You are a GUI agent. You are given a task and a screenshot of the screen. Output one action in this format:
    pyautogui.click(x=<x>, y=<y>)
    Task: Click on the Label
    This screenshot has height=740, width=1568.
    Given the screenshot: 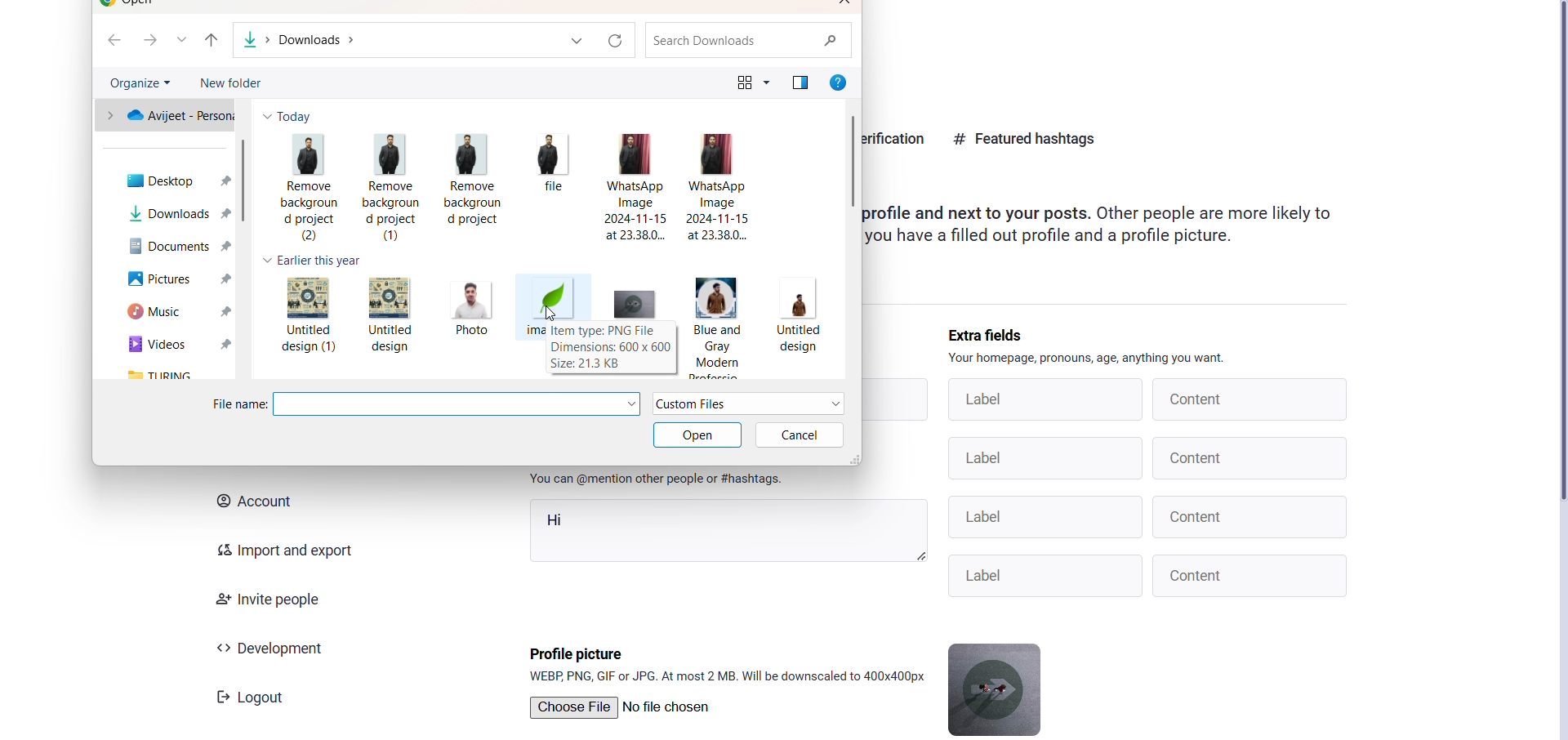 What is the action you would take?
    pyautogui.click(x=1049, y=574)
    